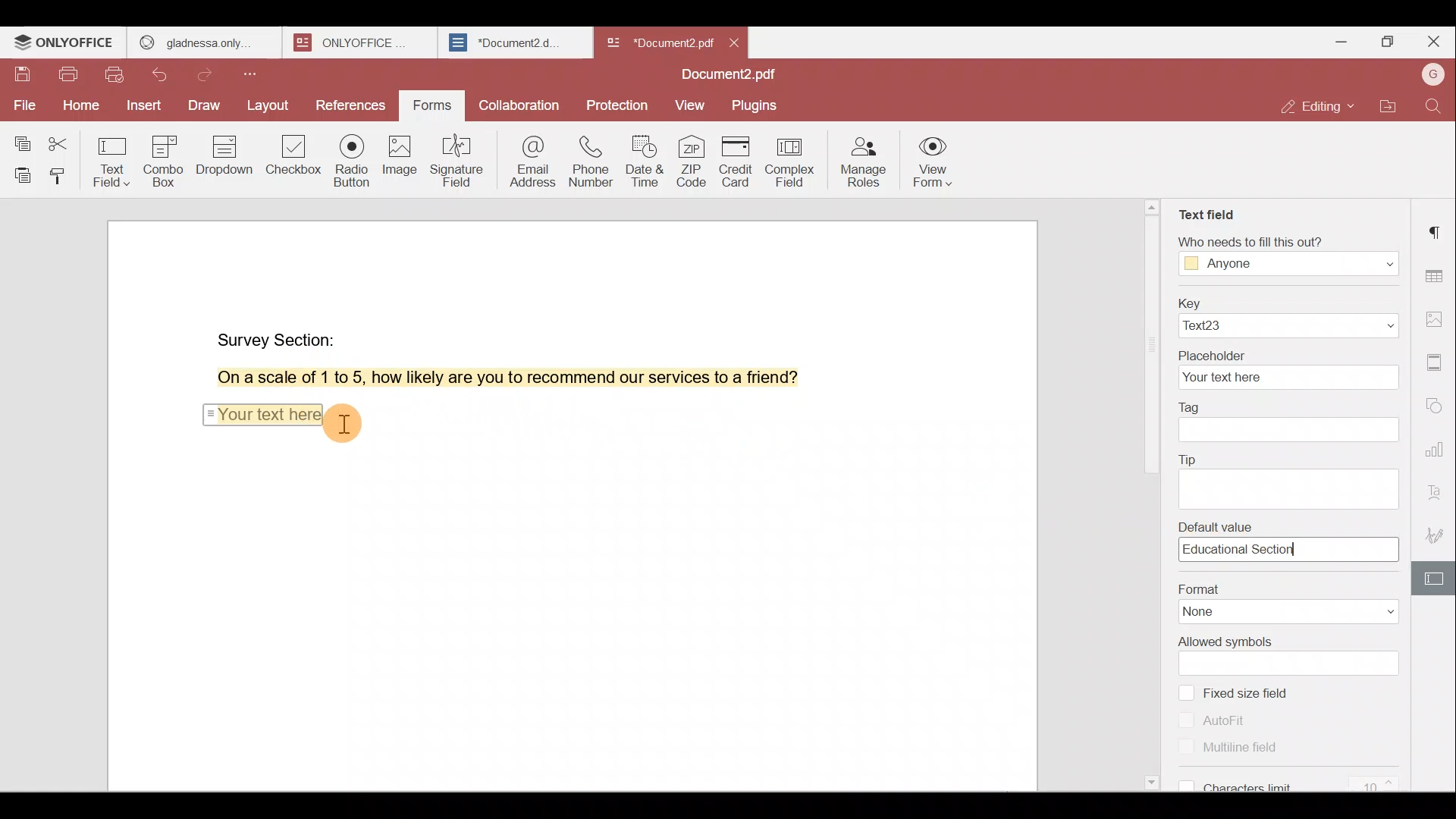 This screenshot has width=1456, height=819. What do you see at coordinates (1439, 441) in the screenshot?
I see `Chart settings` at bounding box center [1439, 441].